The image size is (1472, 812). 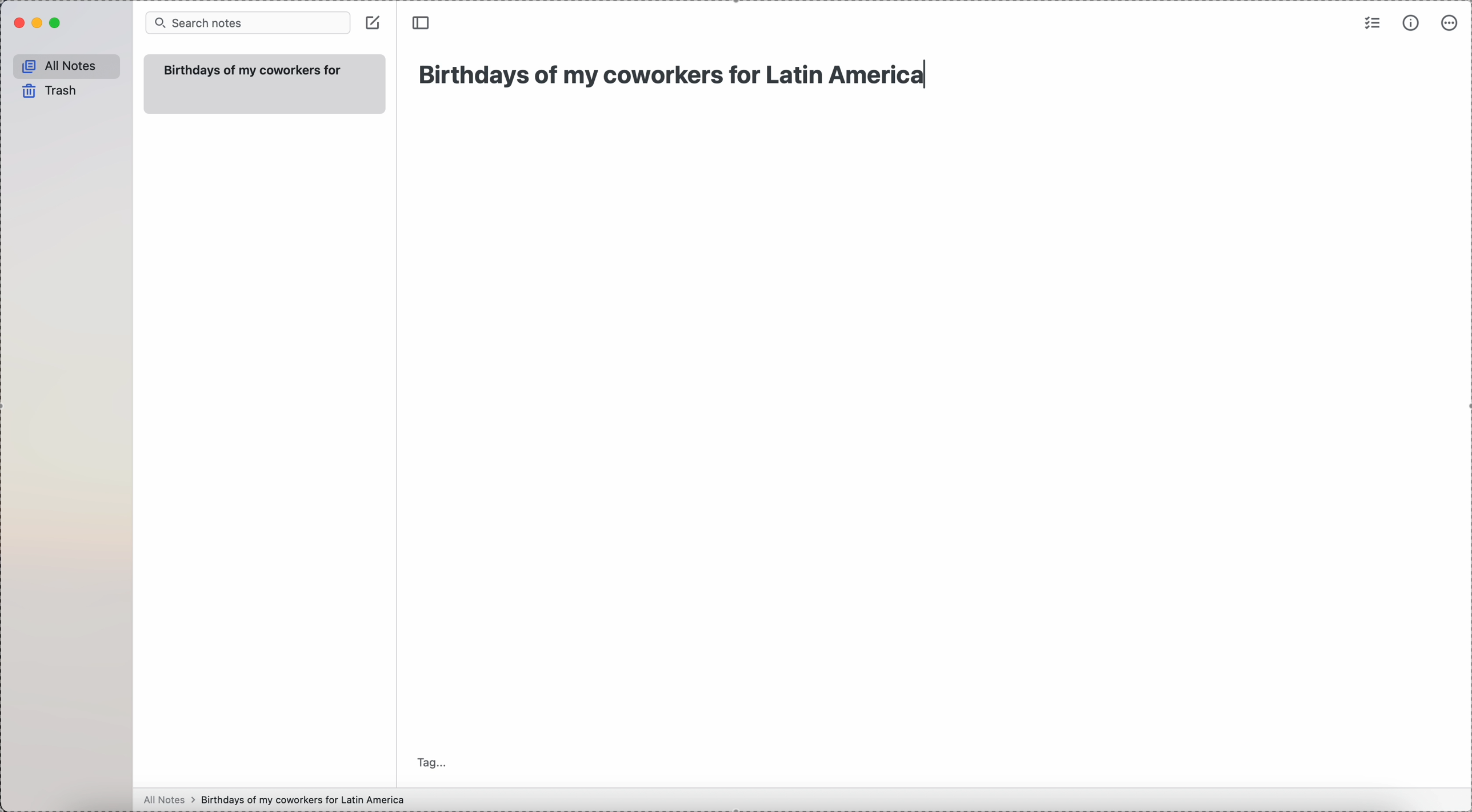 I want to click on minimize Simplenote, so click(x=39, y=24).